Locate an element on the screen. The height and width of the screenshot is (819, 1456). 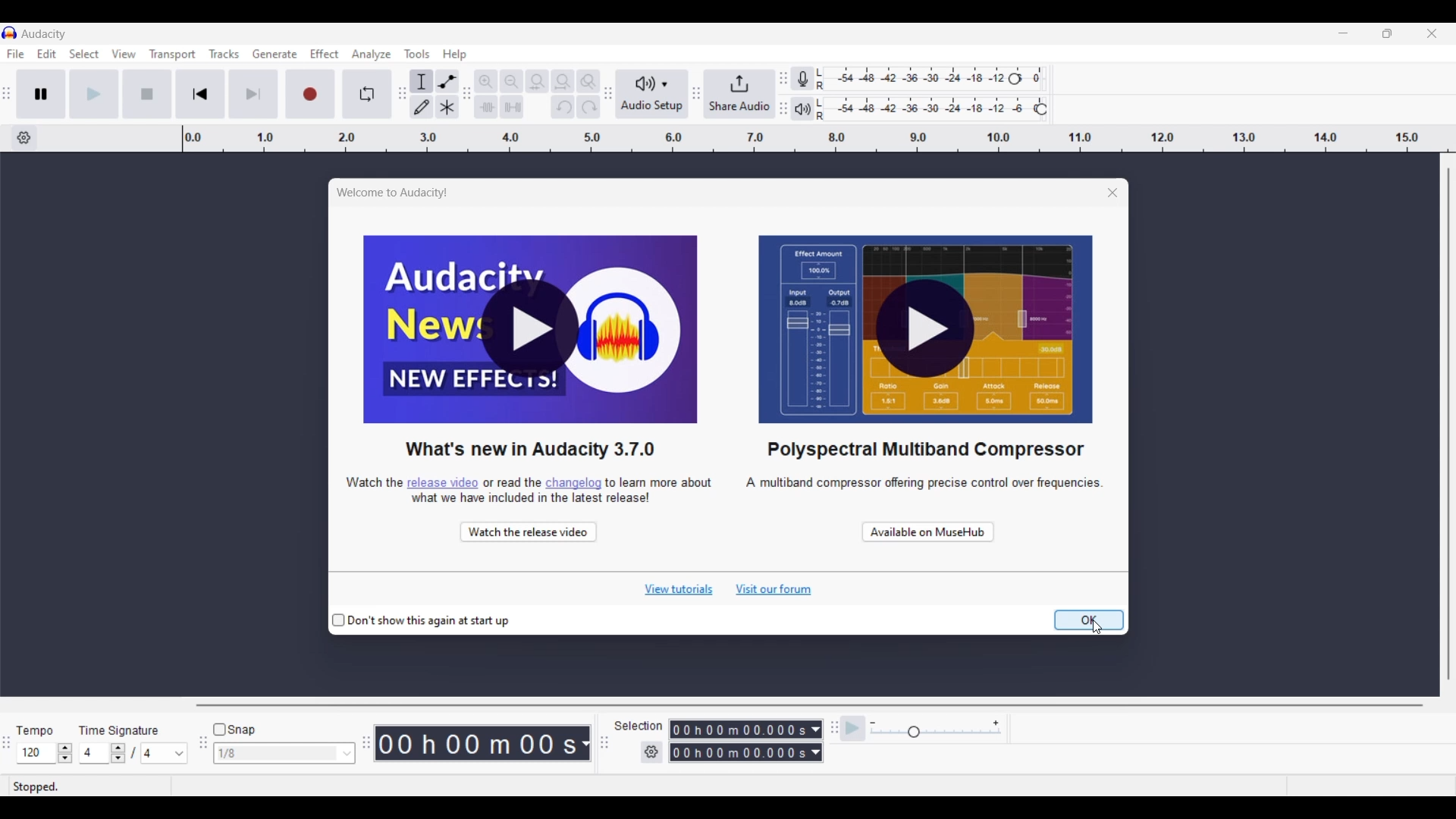
Draw tool is located at coordinates (421, 107).